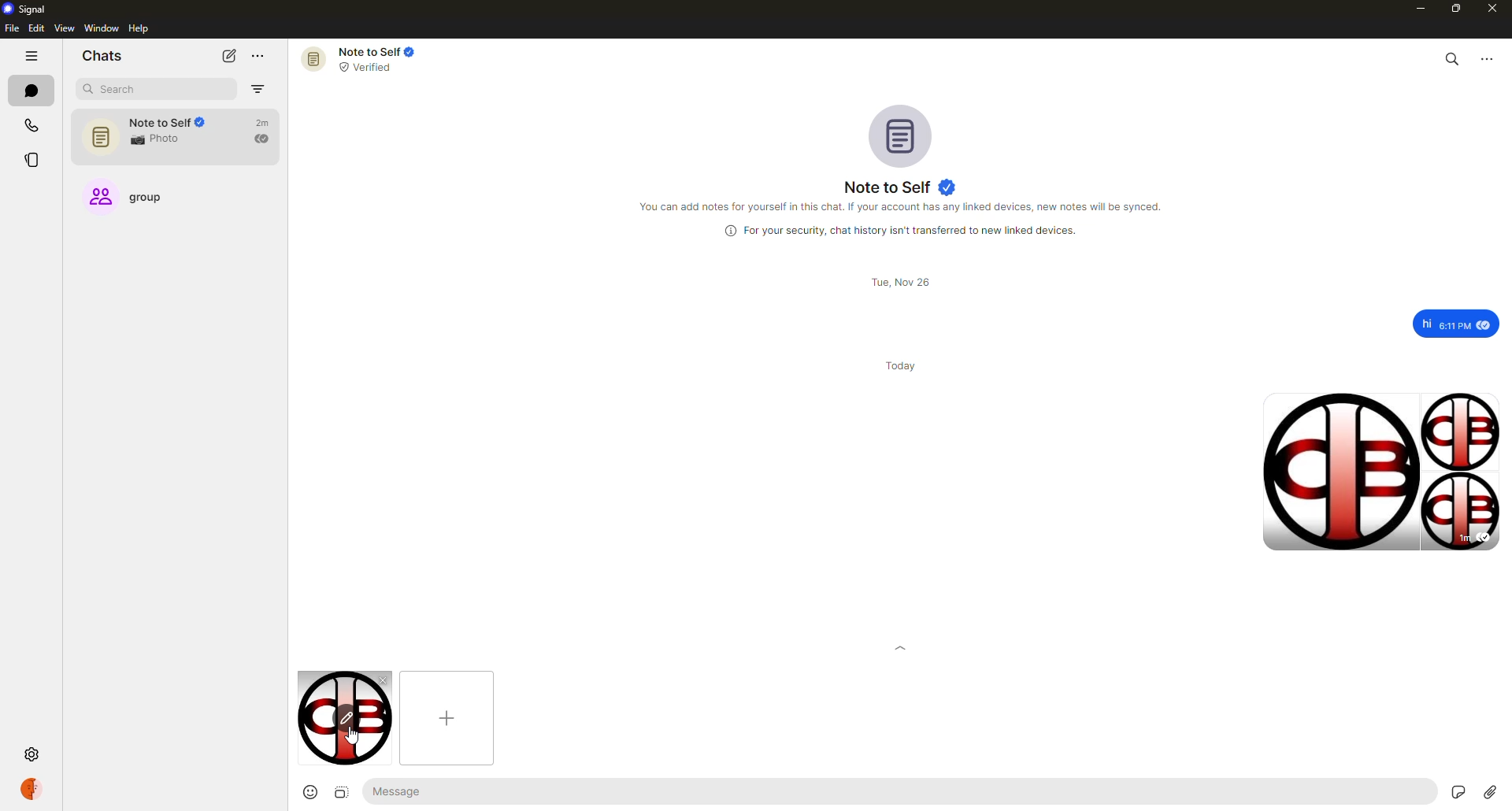  What do you see at coordinates (229, 55) in the screenshot?
I see `new chat` at bounding box center [229, 55].